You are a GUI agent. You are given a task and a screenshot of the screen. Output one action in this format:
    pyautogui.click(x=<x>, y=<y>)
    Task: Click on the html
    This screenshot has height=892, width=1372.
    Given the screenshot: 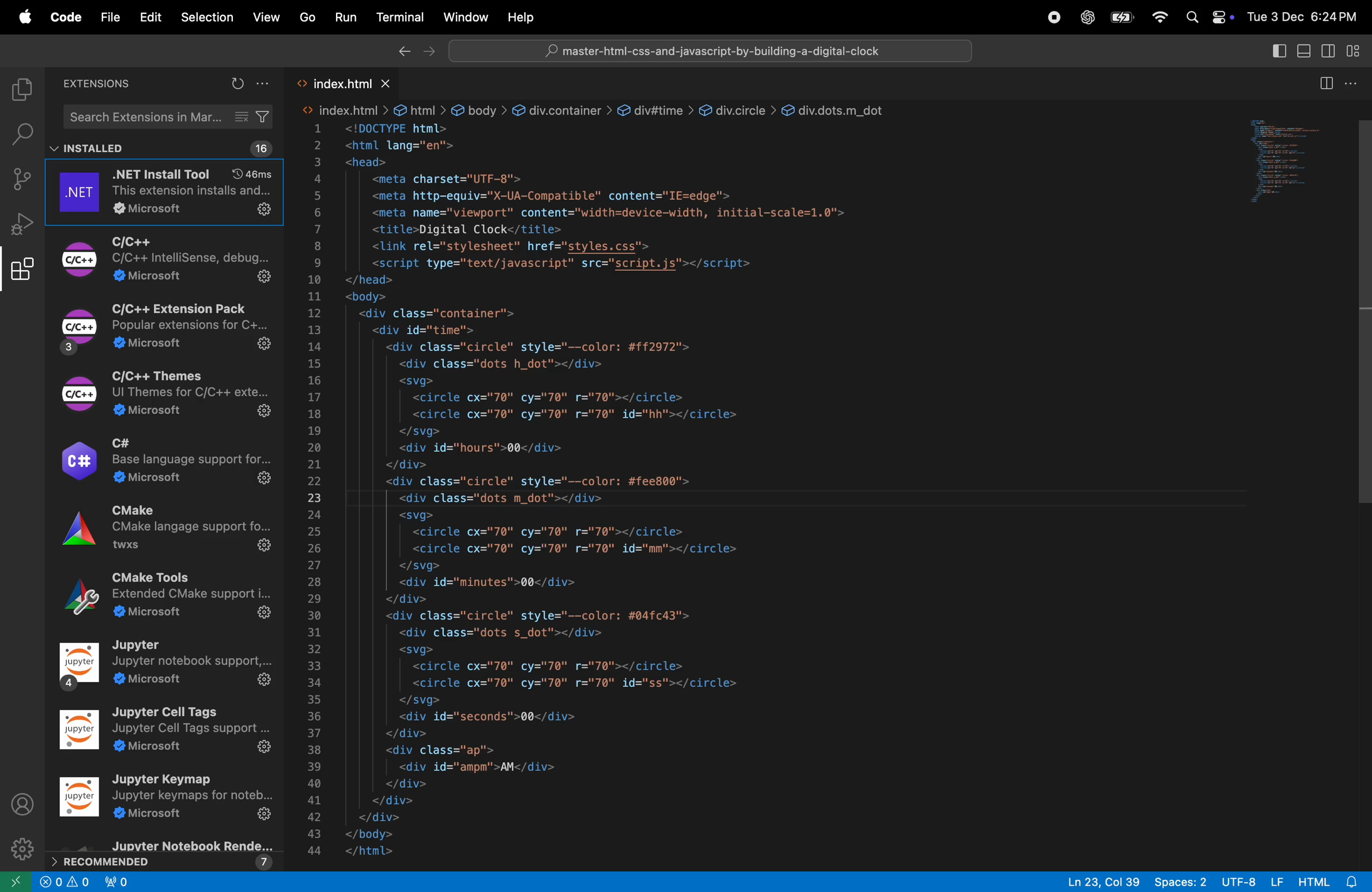 What is the action you would take?
    pyautogui.click(x=422, y=110)
    